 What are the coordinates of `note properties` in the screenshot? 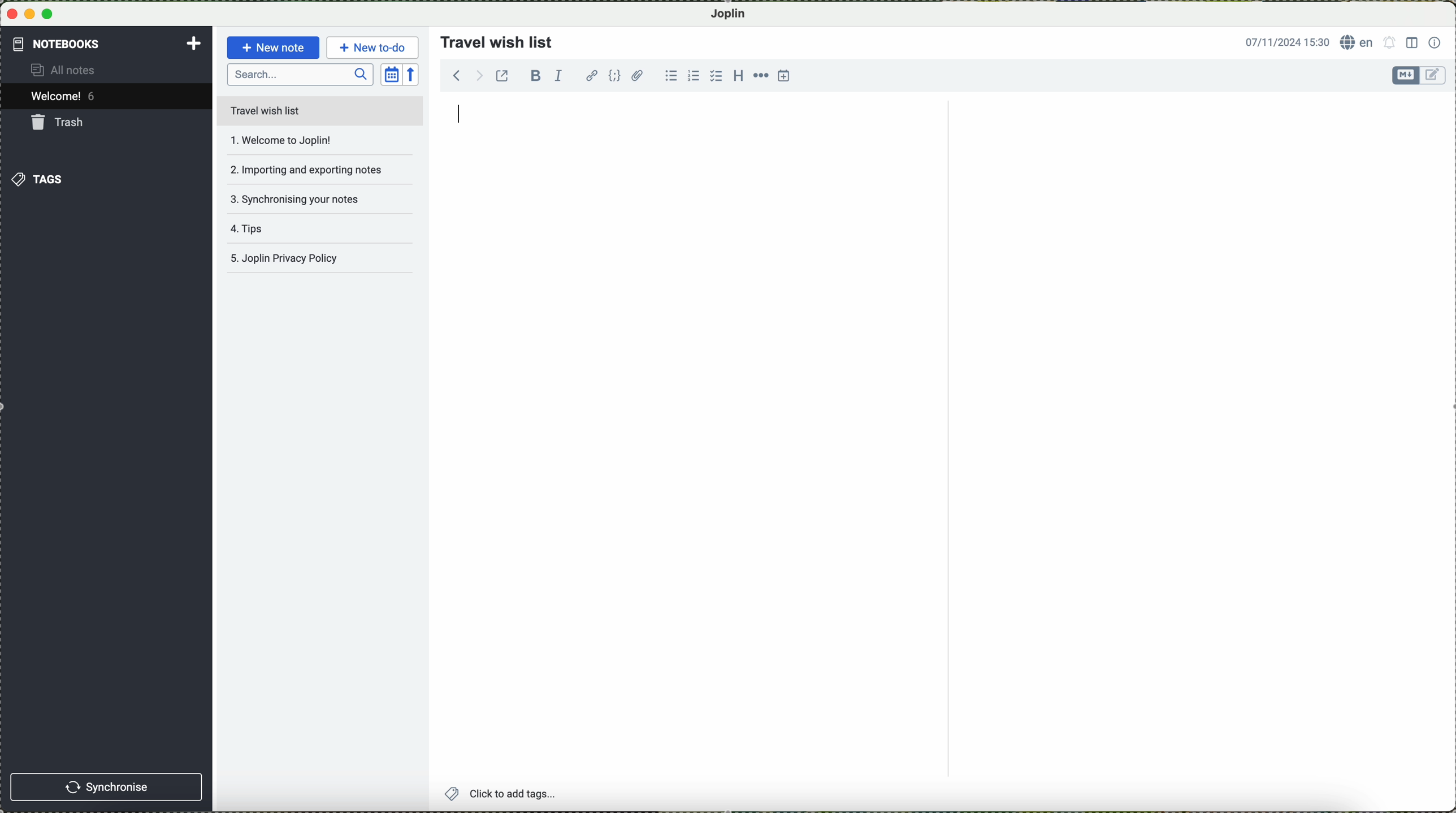 It's located at (1435, 41).